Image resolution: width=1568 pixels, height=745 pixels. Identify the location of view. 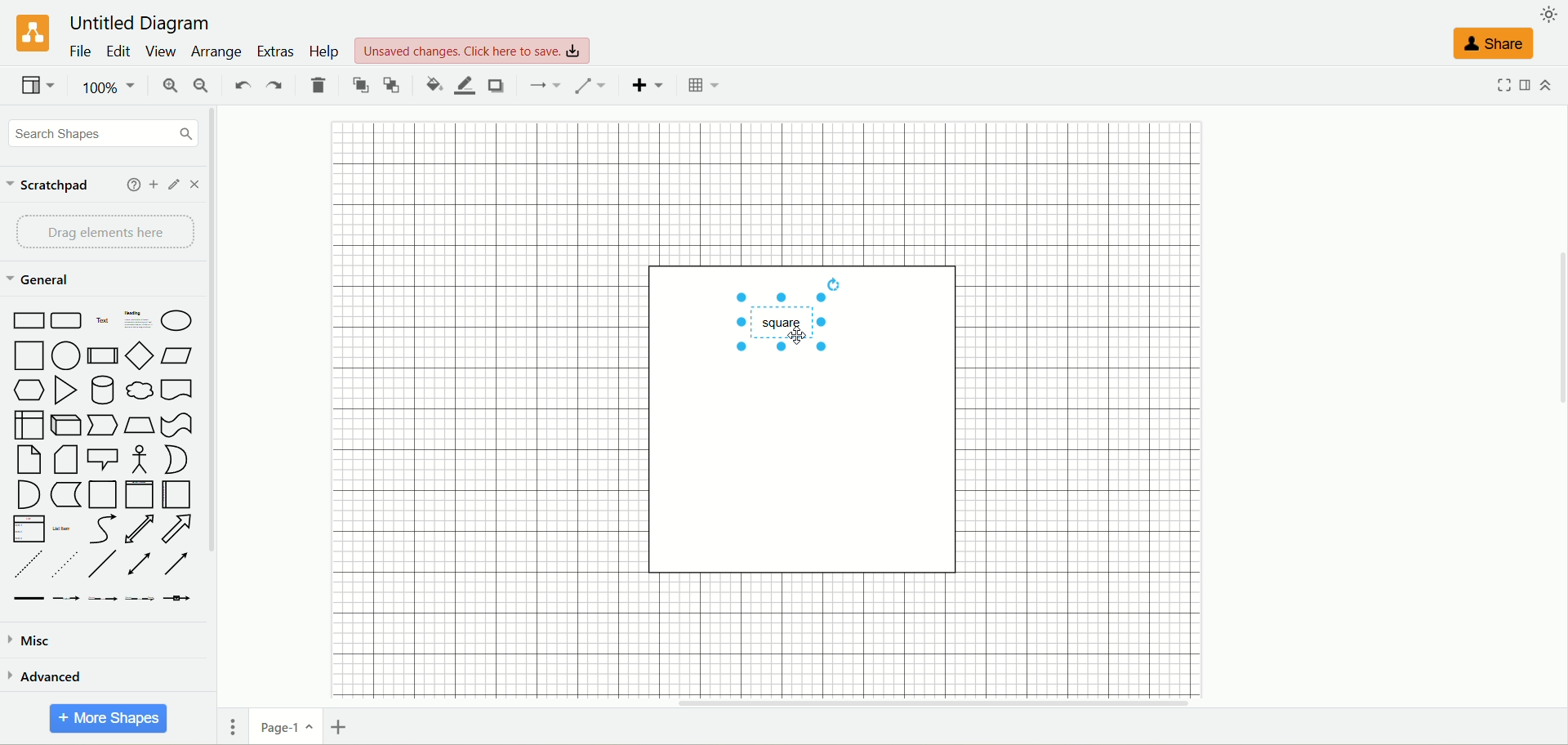
(160, 52).